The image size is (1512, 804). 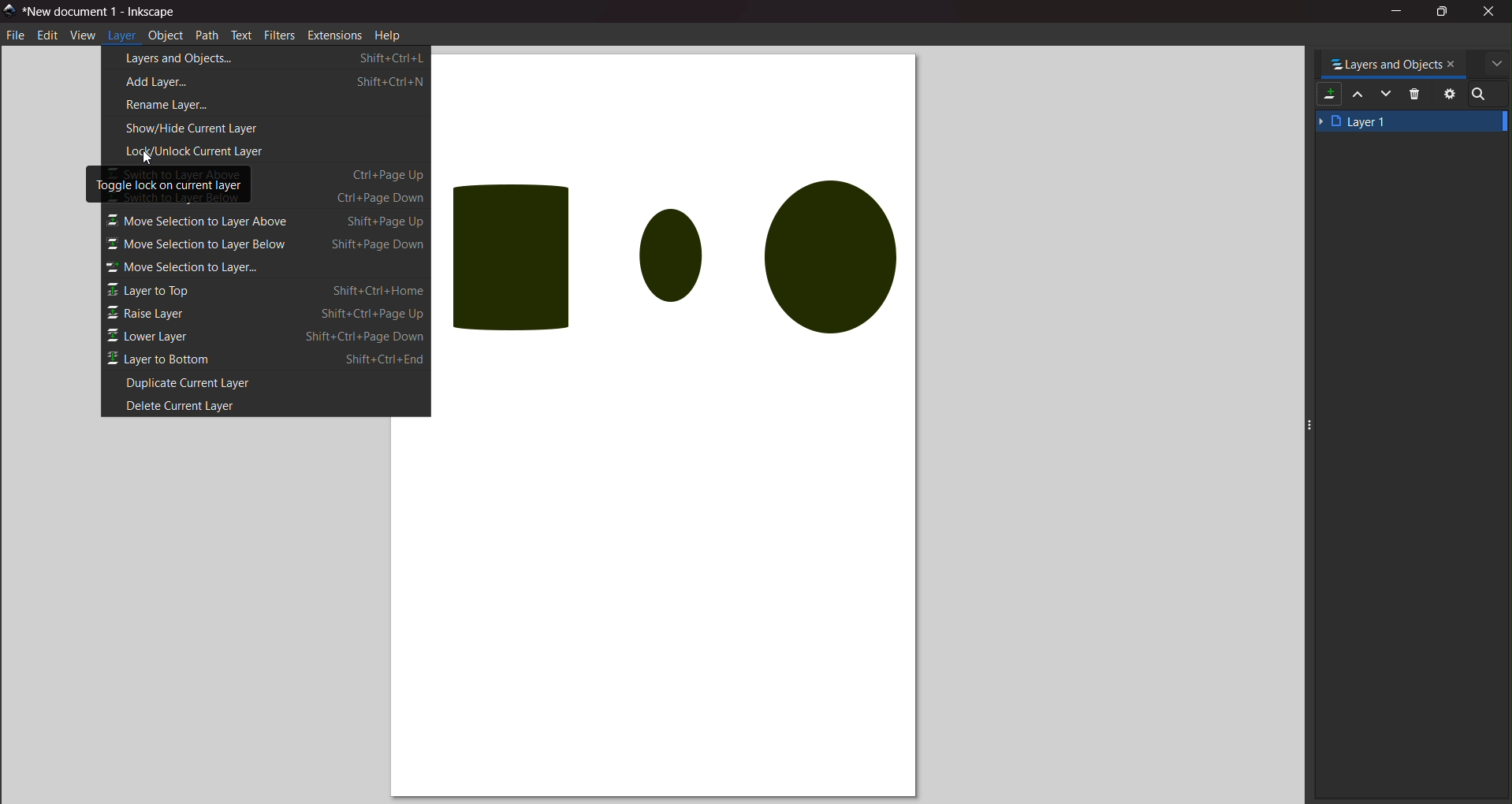 I want to click on view, so click(x=82, y=38).